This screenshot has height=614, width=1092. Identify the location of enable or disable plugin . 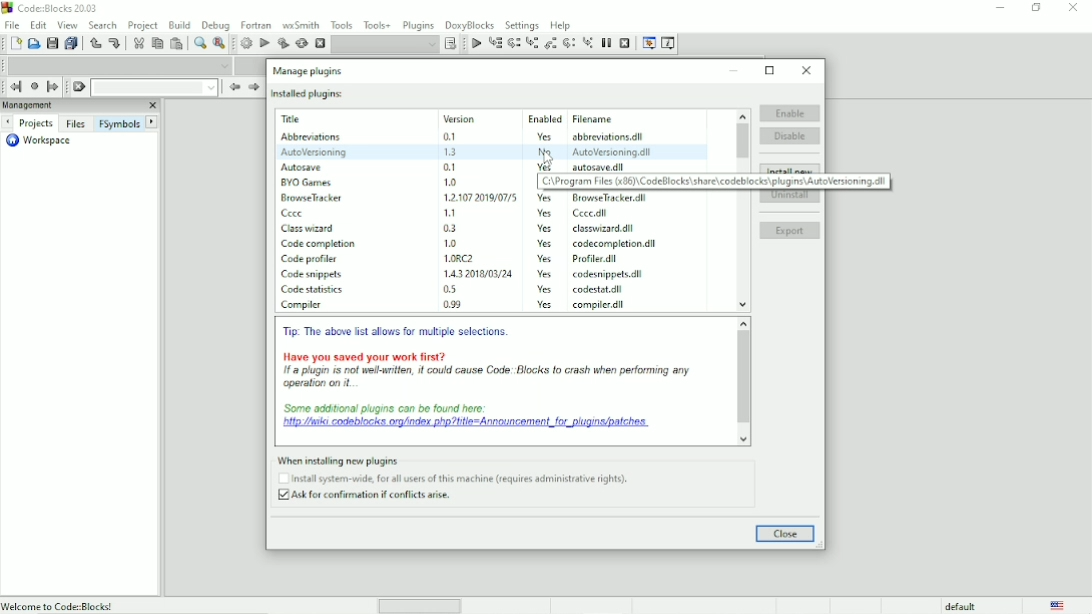
(111, 605).